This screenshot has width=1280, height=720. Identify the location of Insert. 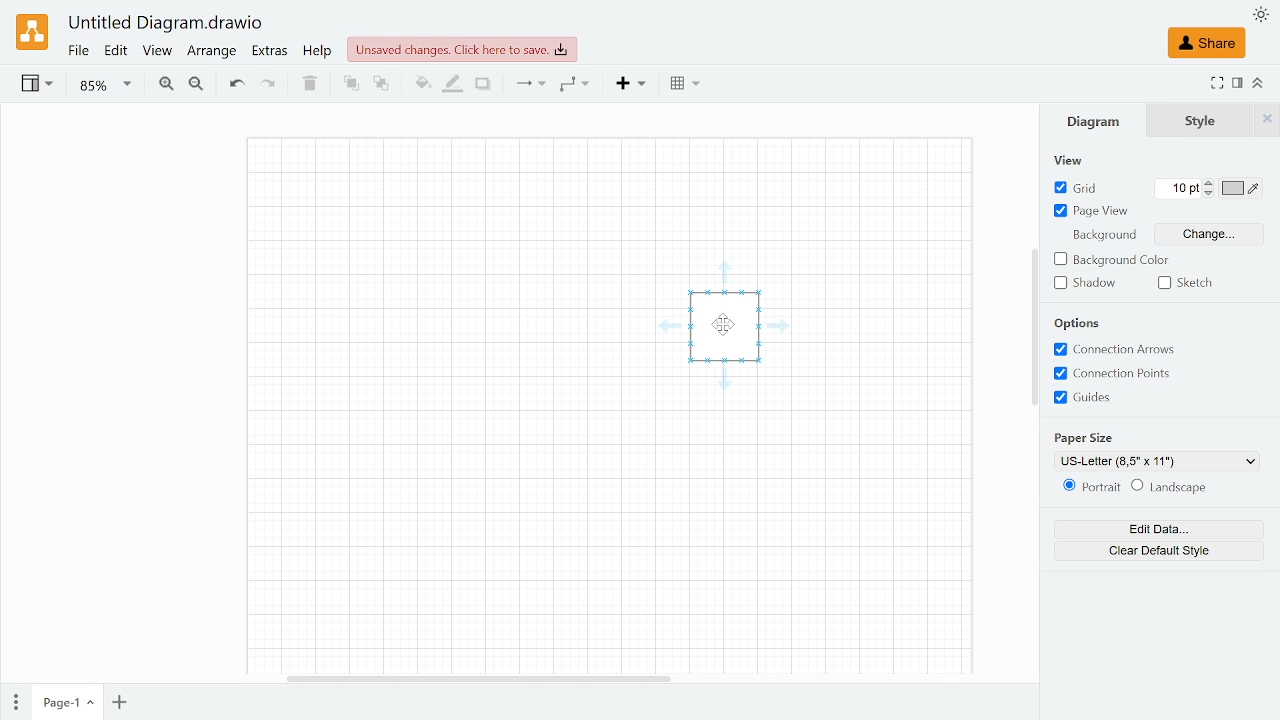
(633, 85).